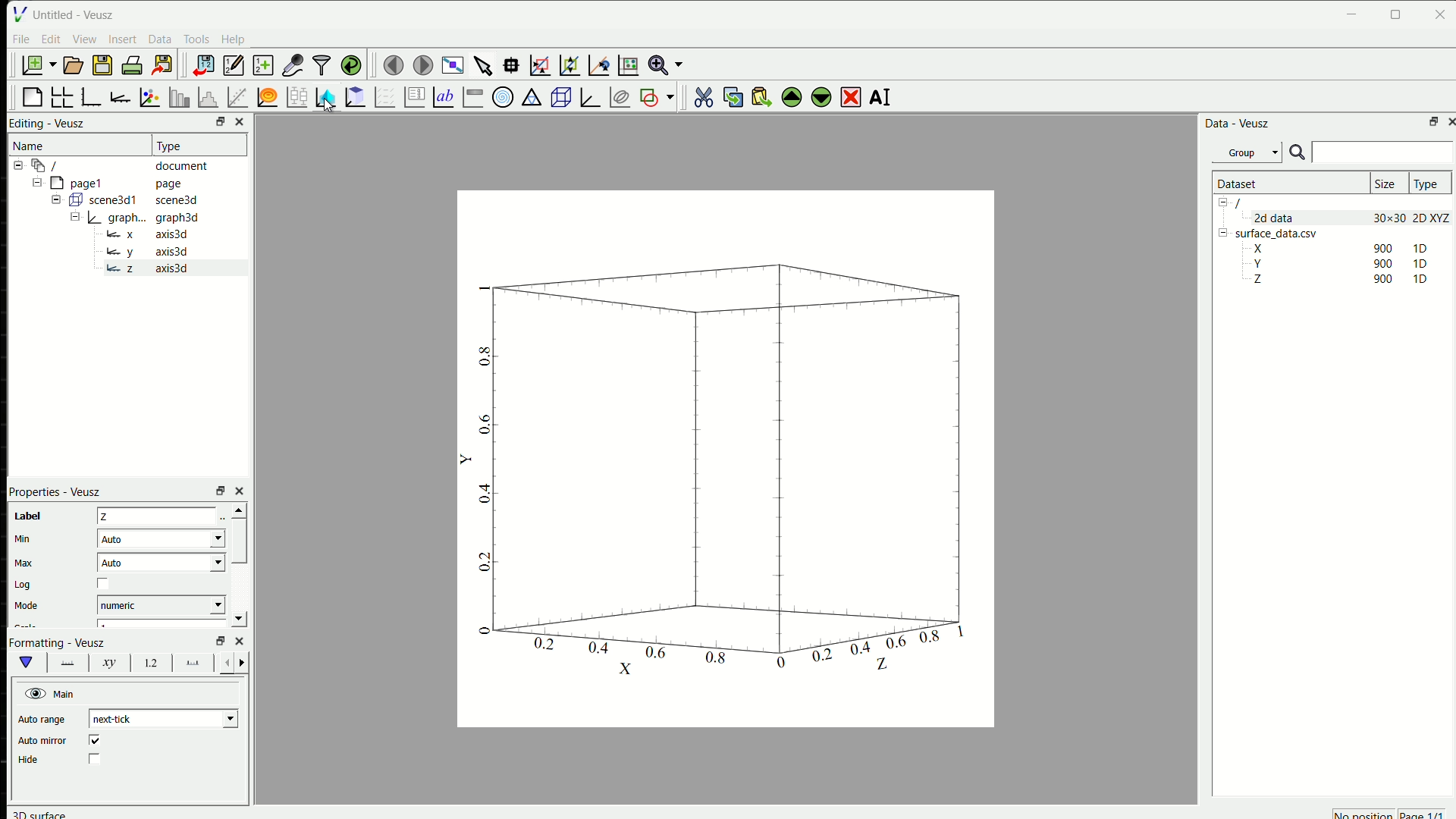 Image resolution: width=1456 pixels, height=819 pixels. What do you see at coordinates (444, 96) in the screenshot?
I see `Text label` at bounding box center [444, 96].